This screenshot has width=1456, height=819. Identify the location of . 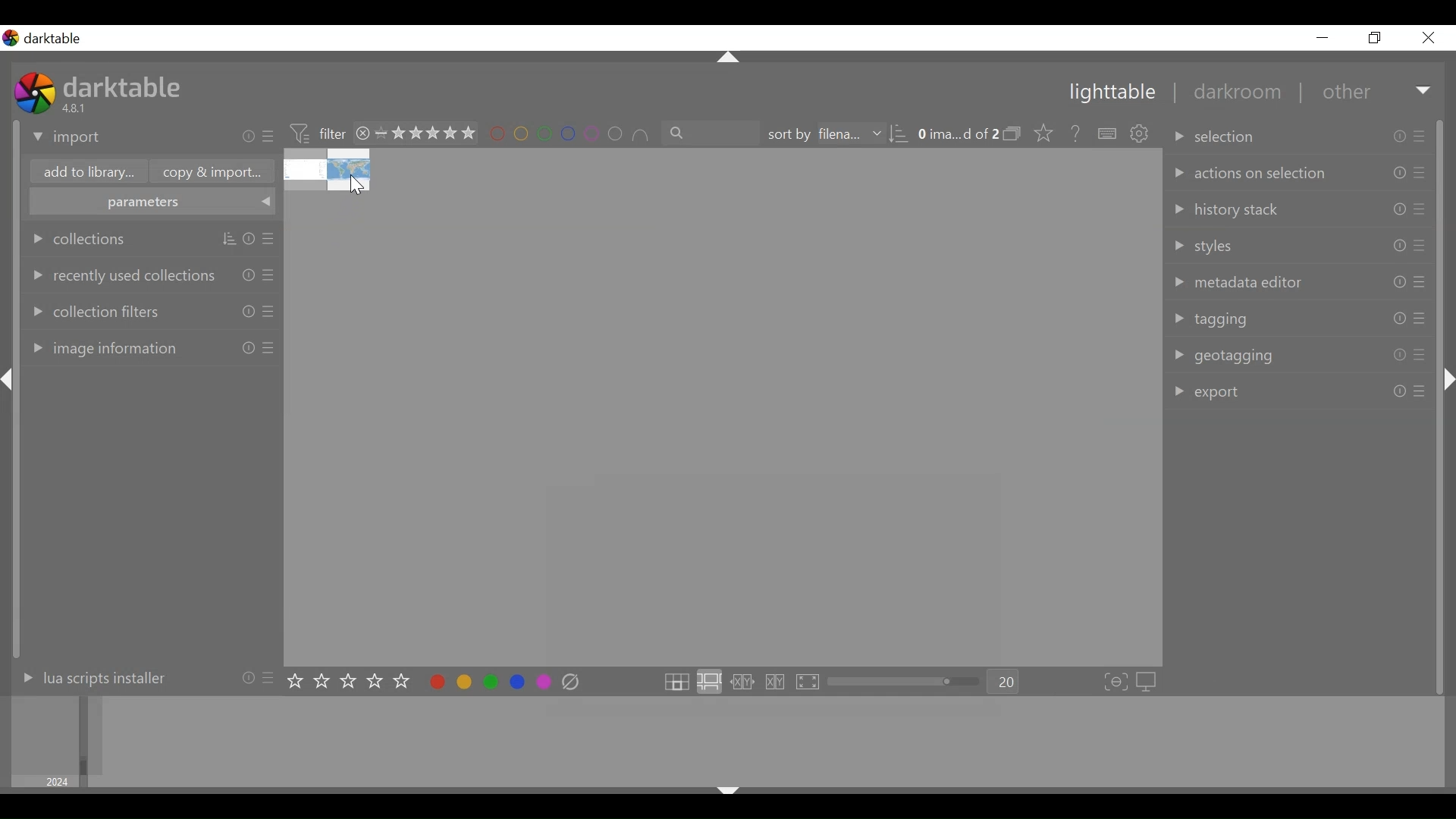
(248, 240).